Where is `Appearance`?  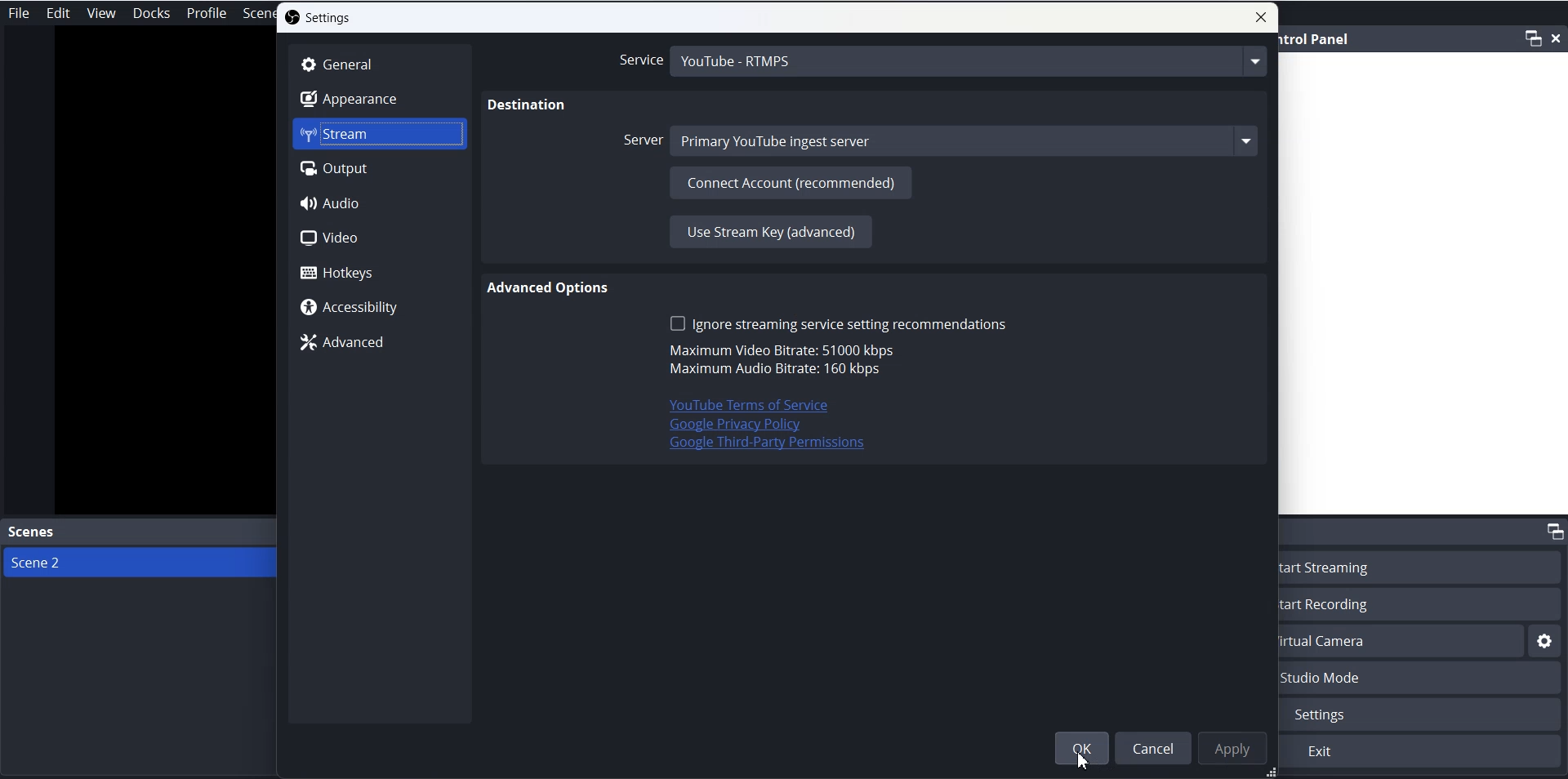
Appearance is located at coordinates (380, 98).